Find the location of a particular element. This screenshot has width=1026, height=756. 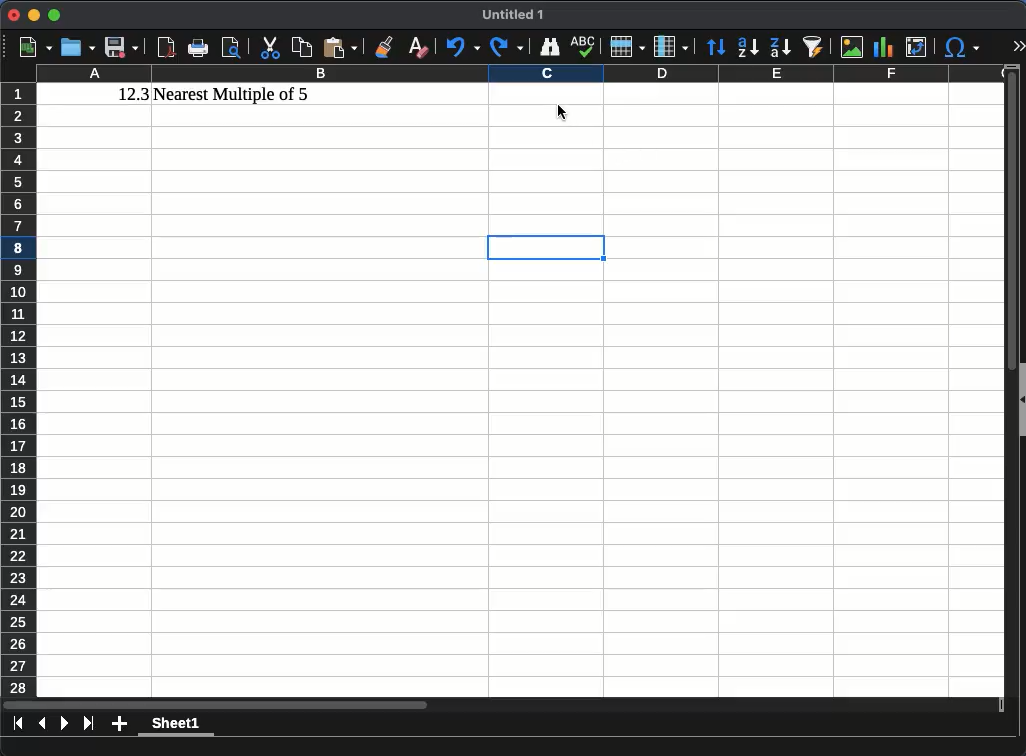

row is located at coordinates (626, 46).